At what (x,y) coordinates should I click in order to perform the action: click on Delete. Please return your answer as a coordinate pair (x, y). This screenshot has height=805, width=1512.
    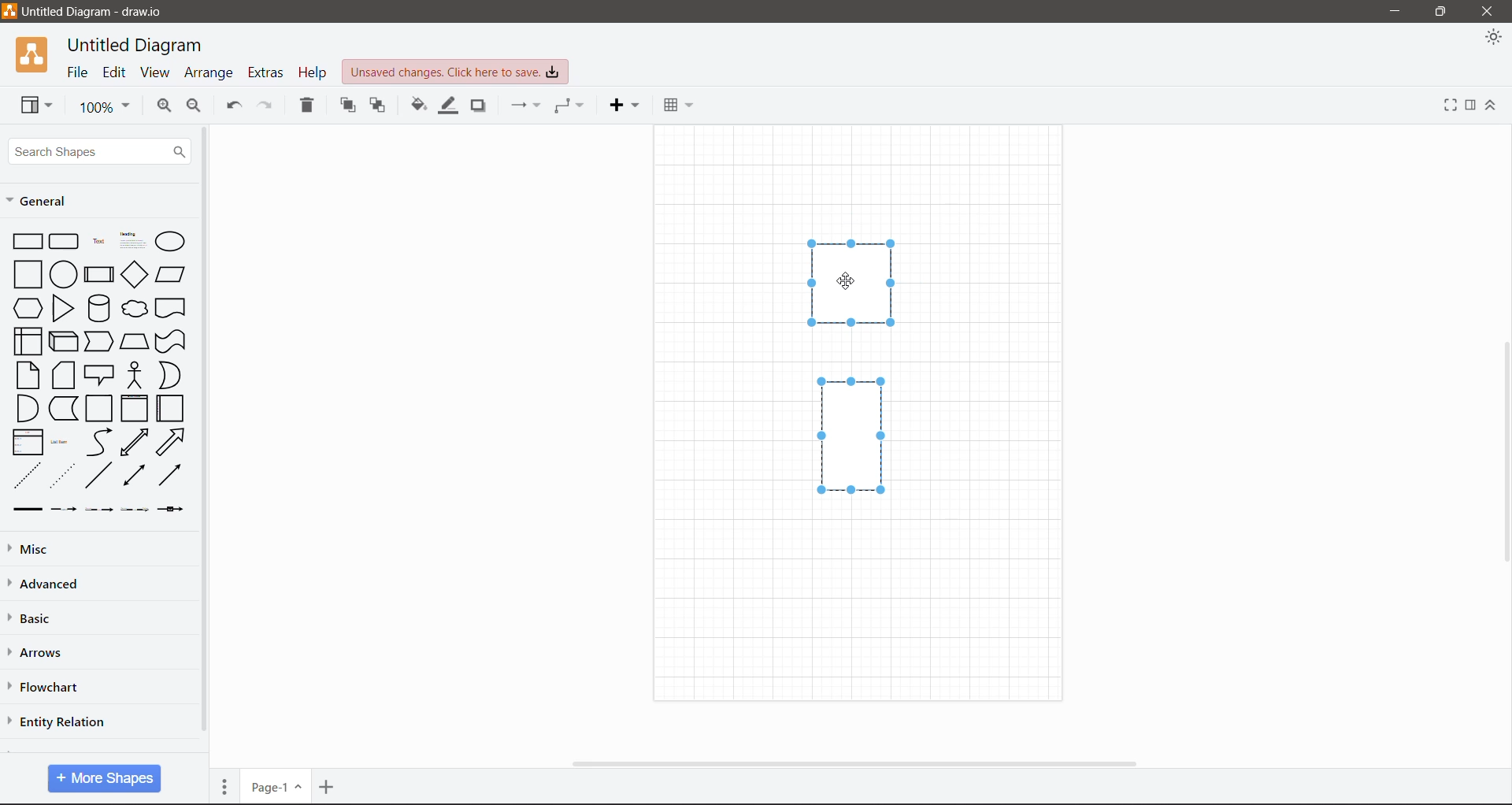
    Looking at the image, I should click on (306, 107).